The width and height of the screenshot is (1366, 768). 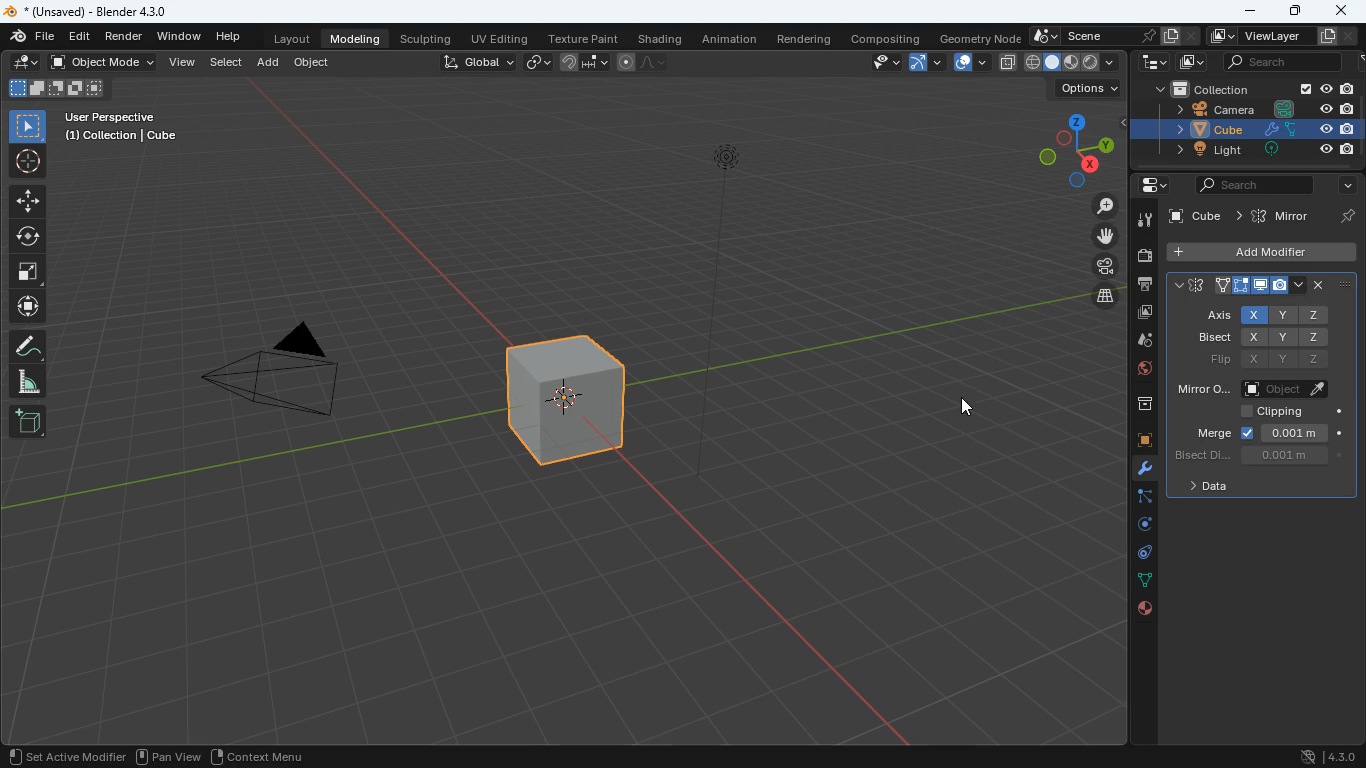 I want to click on shading, so click(x=663, y=39).